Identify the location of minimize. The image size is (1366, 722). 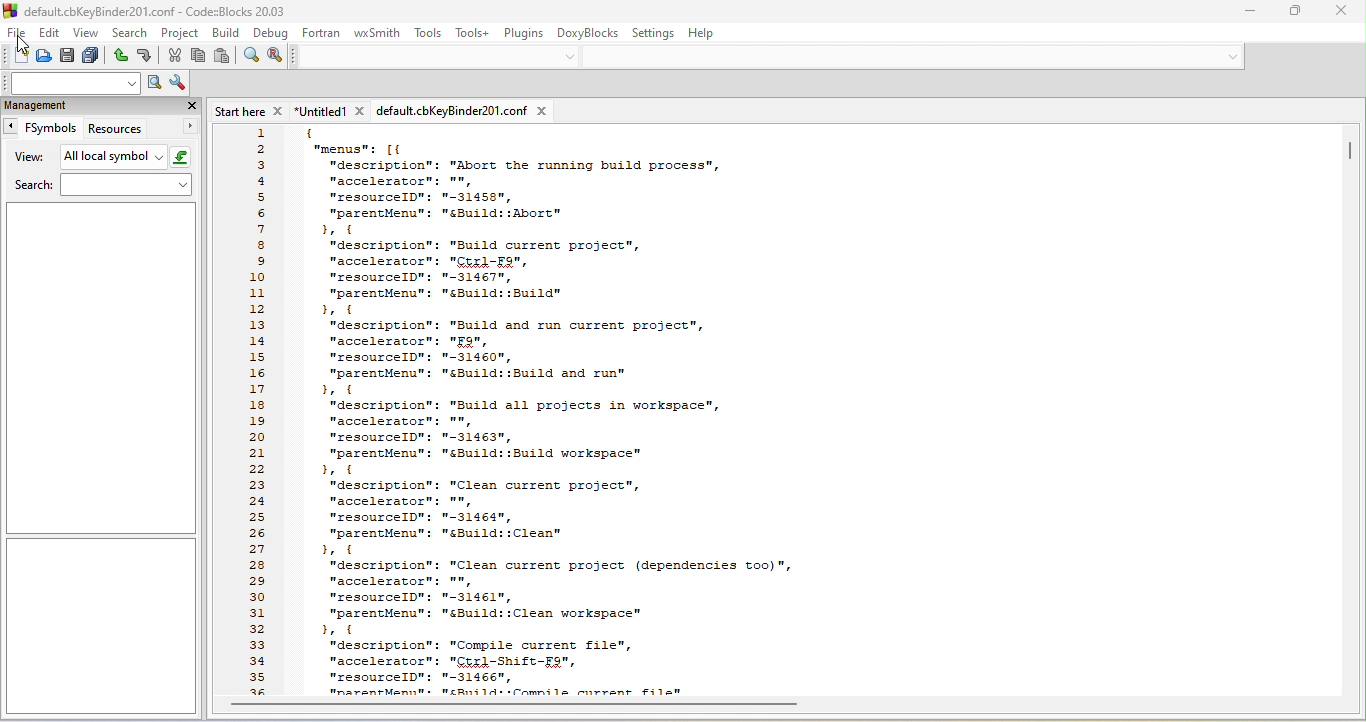
(1249, 13).